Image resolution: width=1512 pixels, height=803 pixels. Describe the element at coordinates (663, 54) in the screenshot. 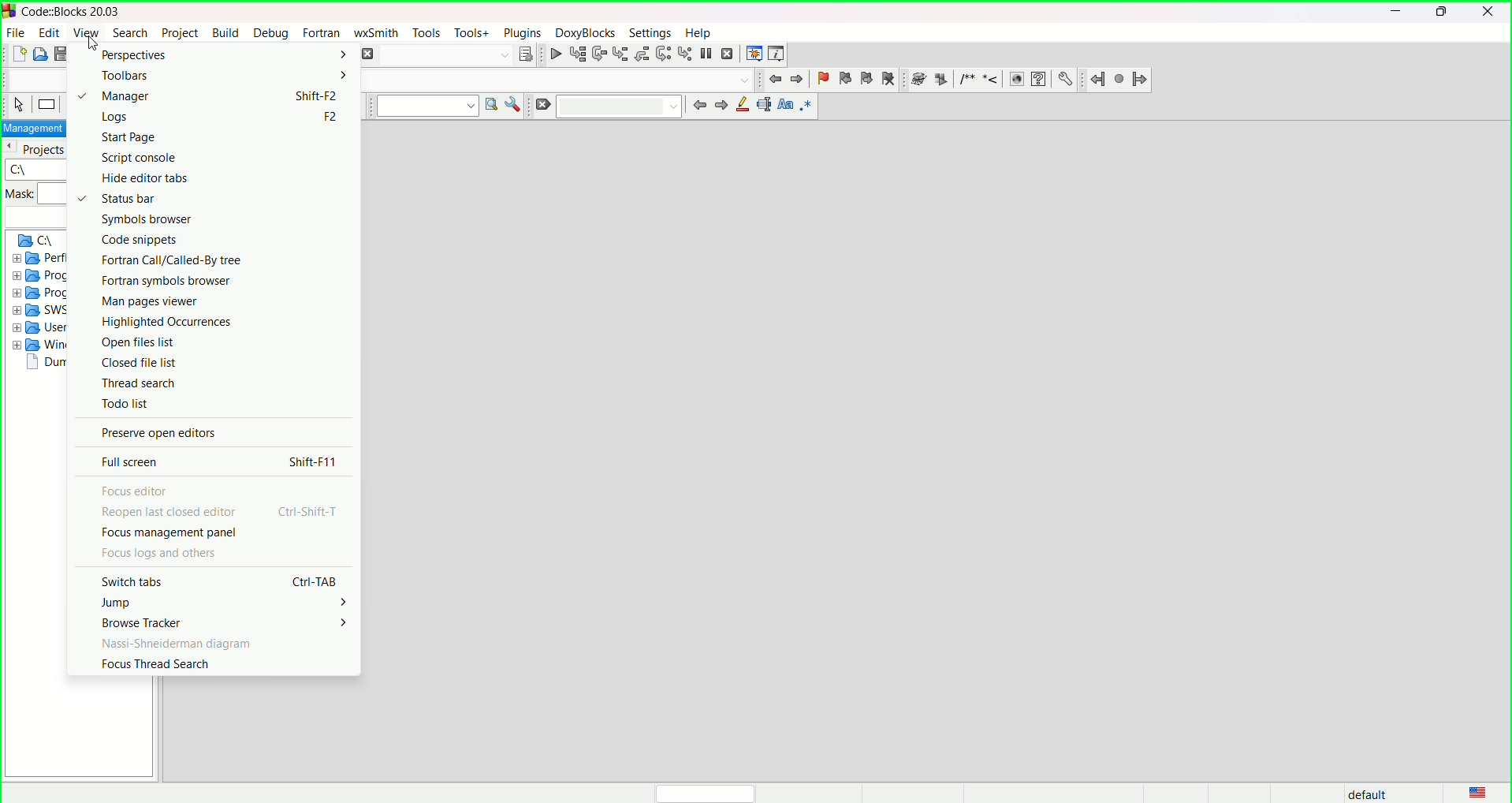

I see `next instruction` at that location.